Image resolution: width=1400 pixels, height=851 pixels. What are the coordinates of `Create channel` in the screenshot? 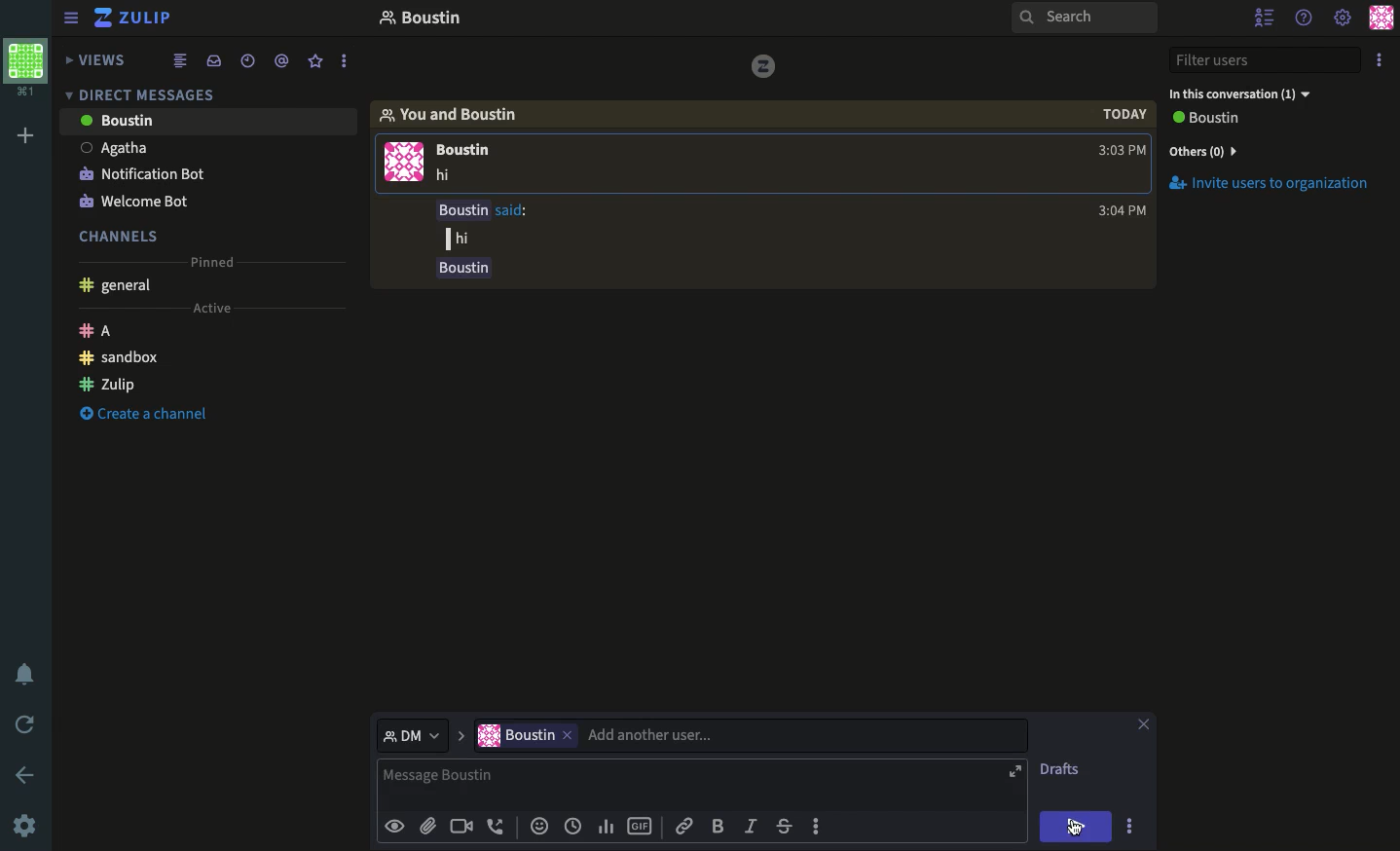 It's located at (145, 416).